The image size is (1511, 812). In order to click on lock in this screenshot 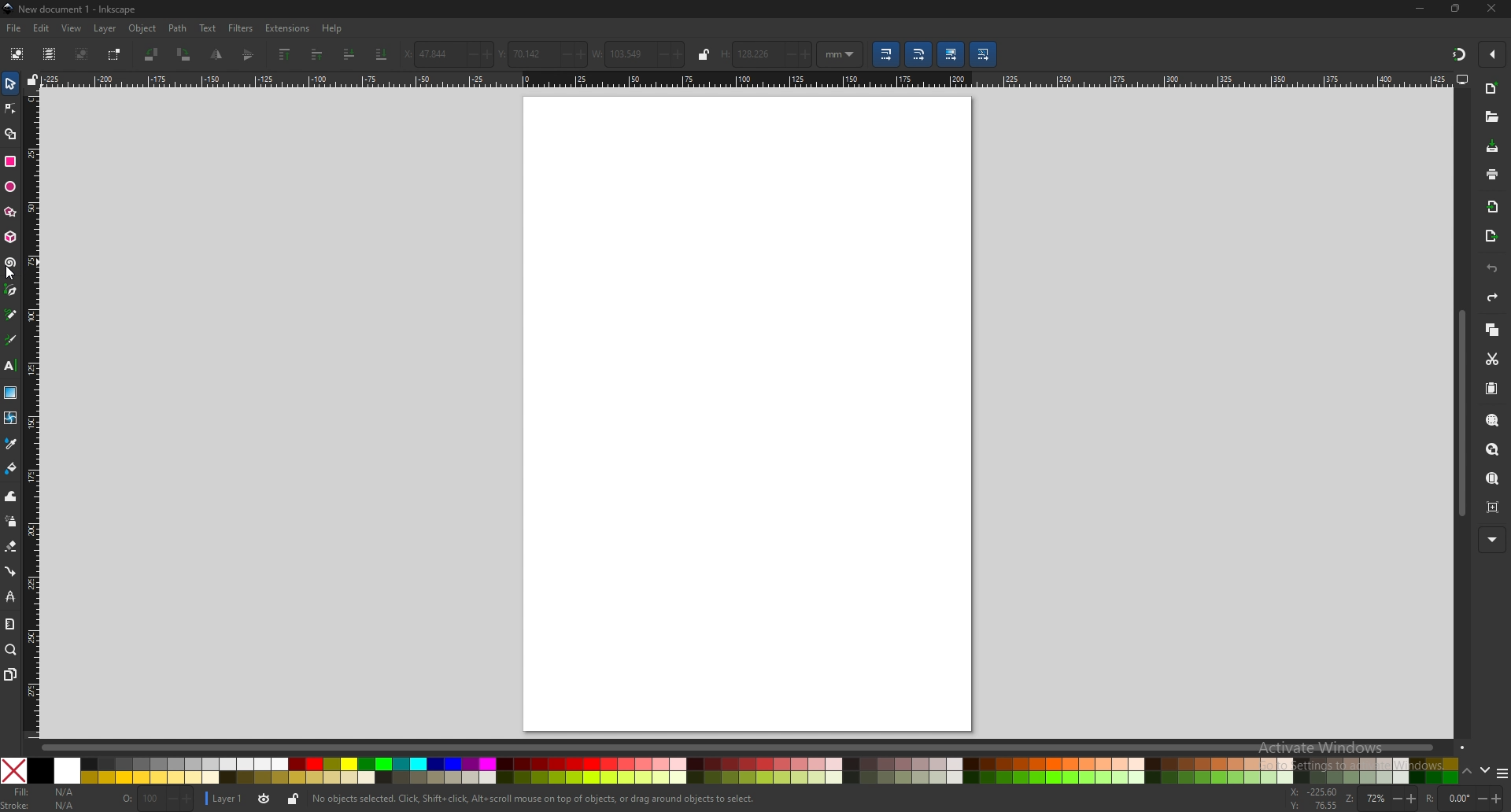, I will do `click(294, 801)`.